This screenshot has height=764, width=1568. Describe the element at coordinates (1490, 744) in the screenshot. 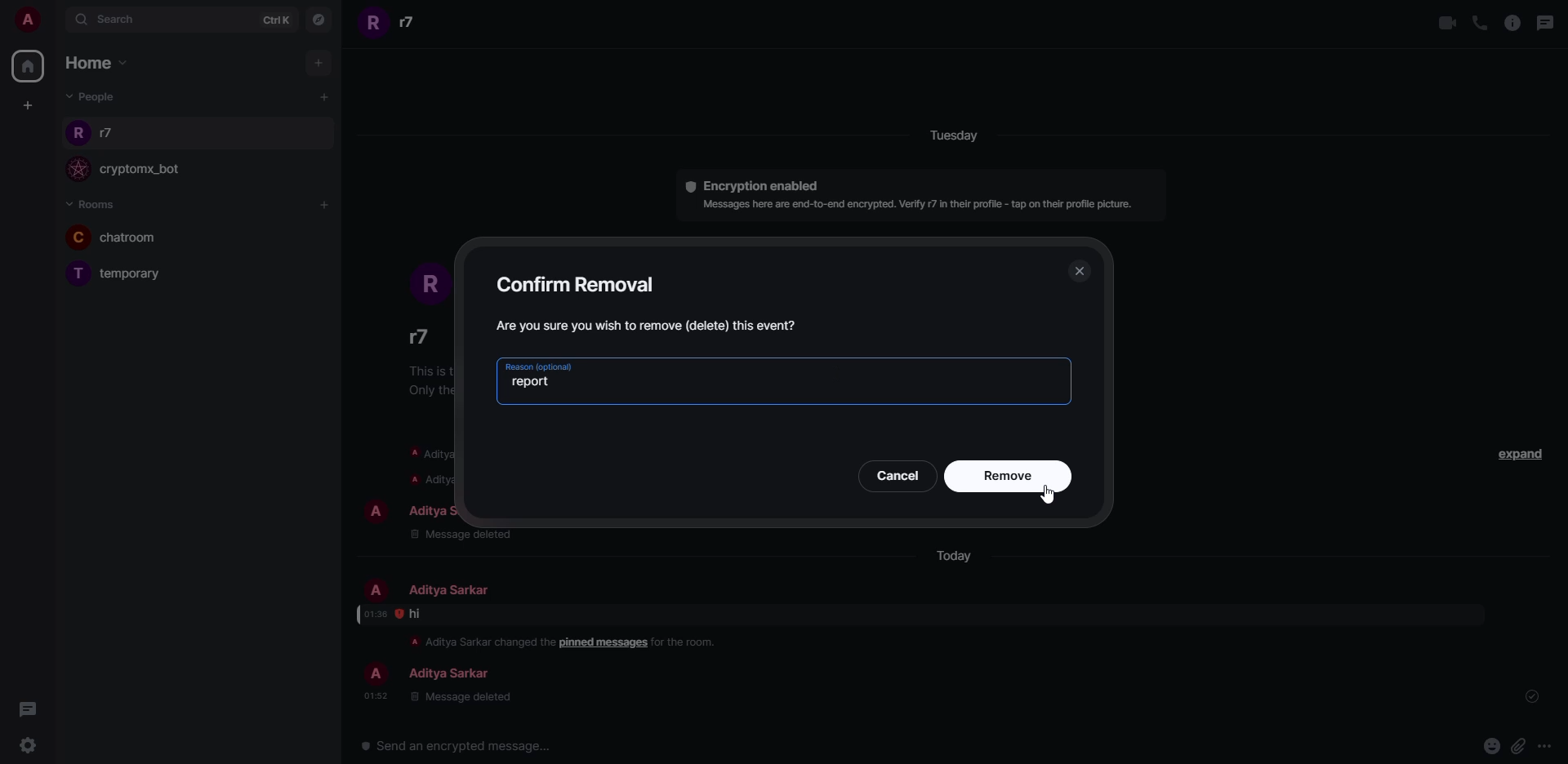

I see `emoji` at that location.